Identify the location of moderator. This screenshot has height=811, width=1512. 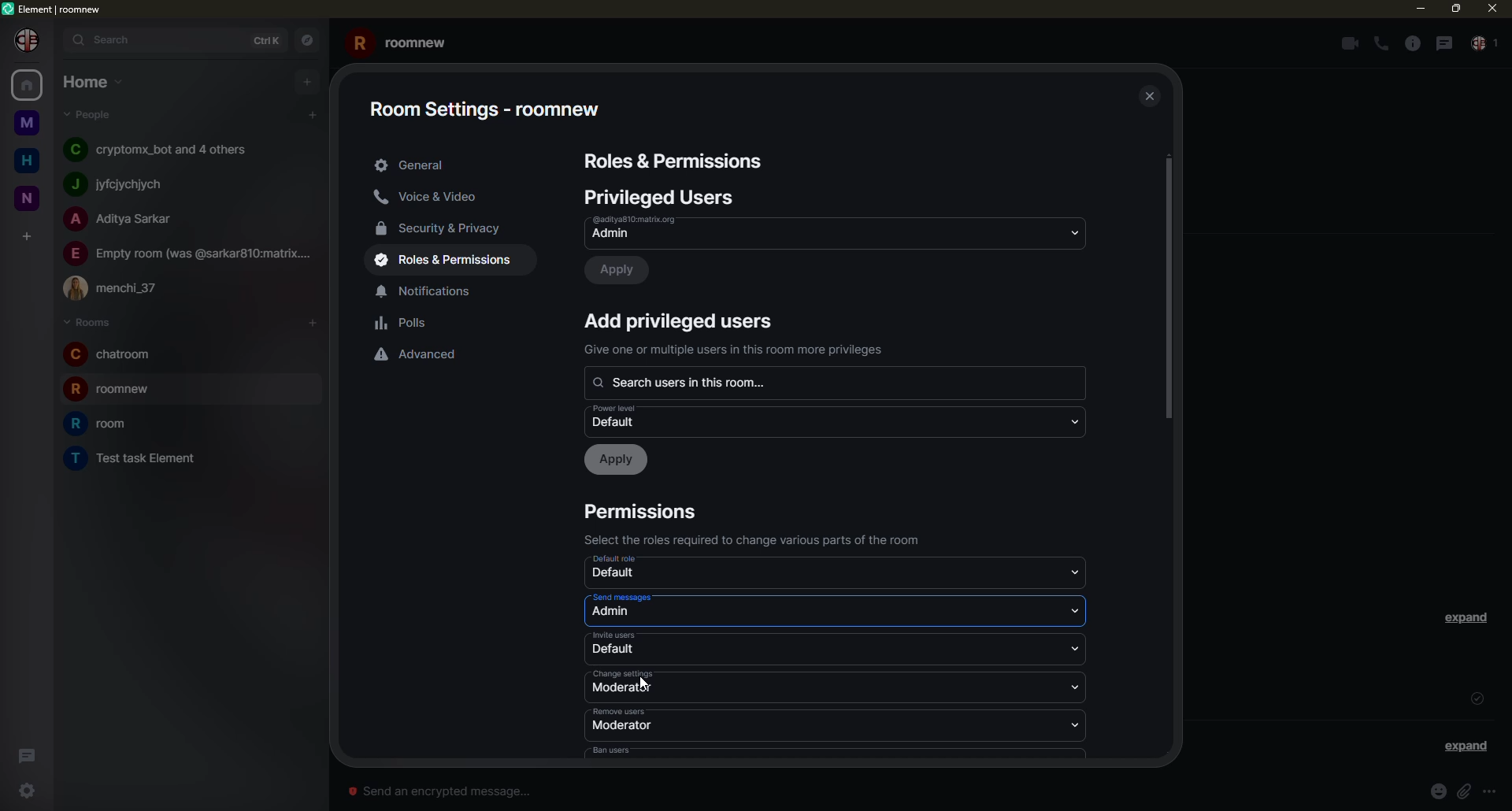
(621, 689).